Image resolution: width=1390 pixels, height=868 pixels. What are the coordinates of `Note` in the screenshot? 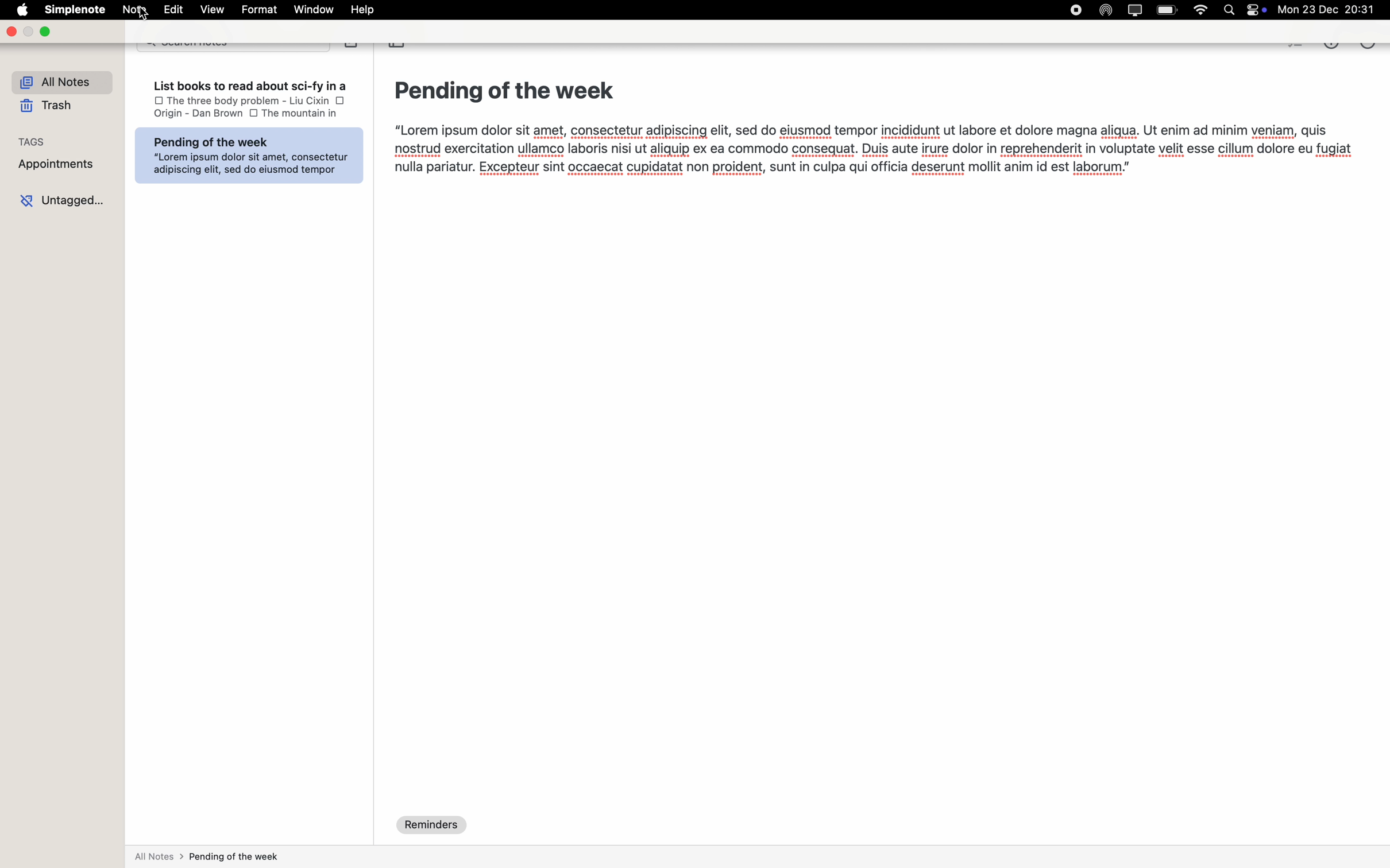 It's located at (130, 12).